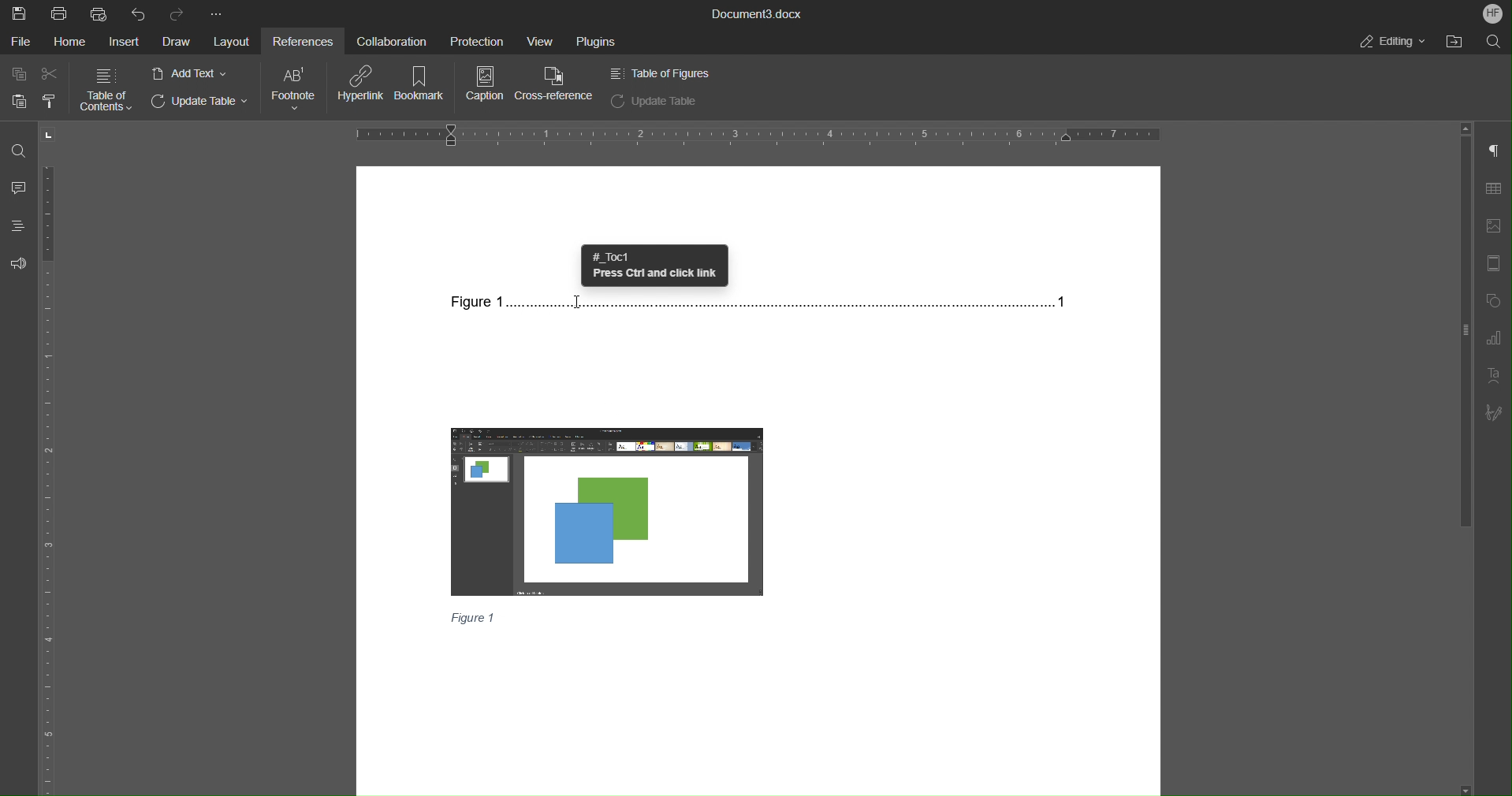 The image size is (1512, 796). What do you see at coordinates (50, 101) in the screenshot?
I see `Copy Style` at bounding box center [50, 101].